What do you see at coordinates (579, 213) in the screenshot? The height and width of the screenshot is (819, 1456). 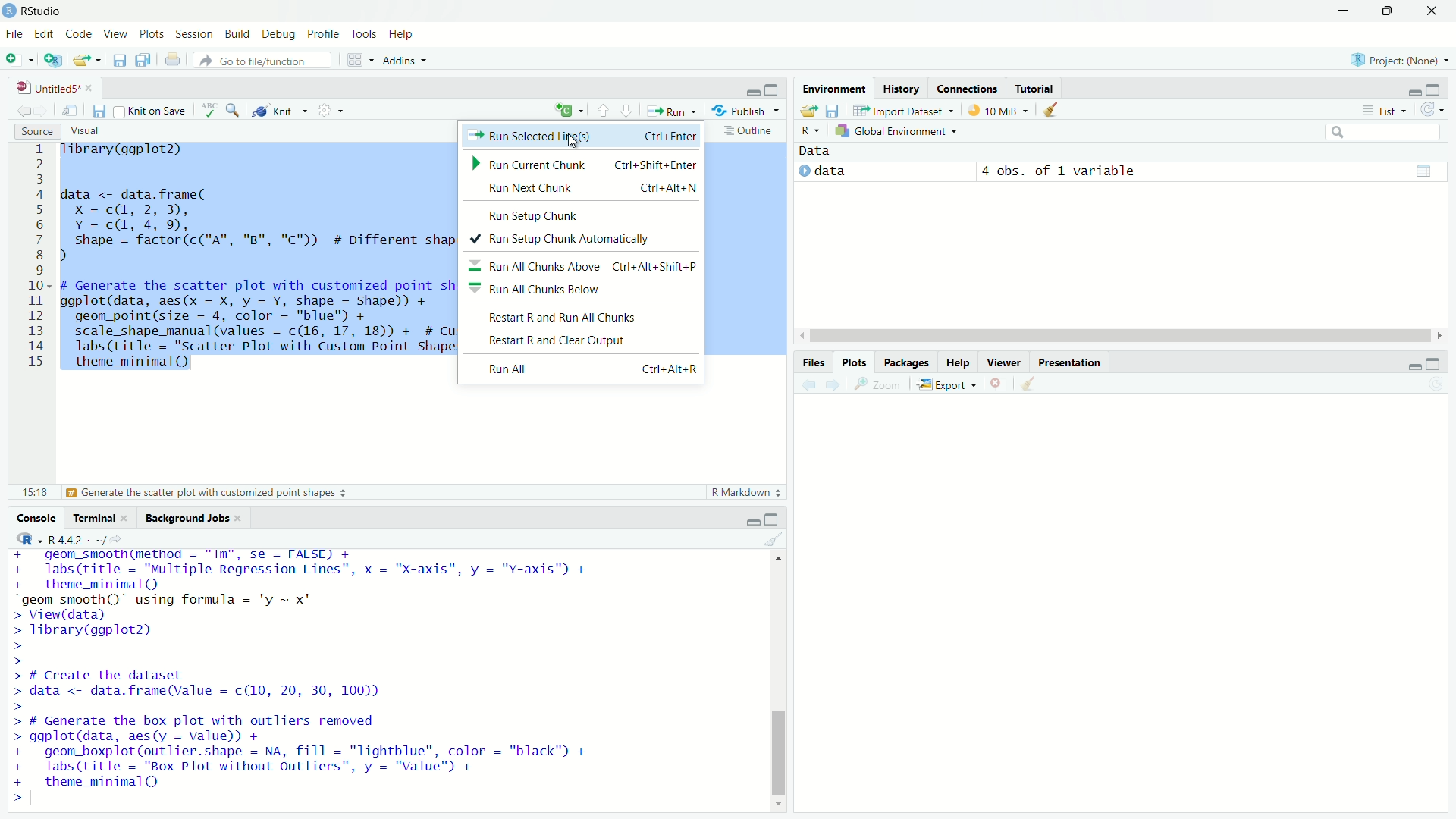 I see `Run Setup Chunk` at bounding box center [579, 213].